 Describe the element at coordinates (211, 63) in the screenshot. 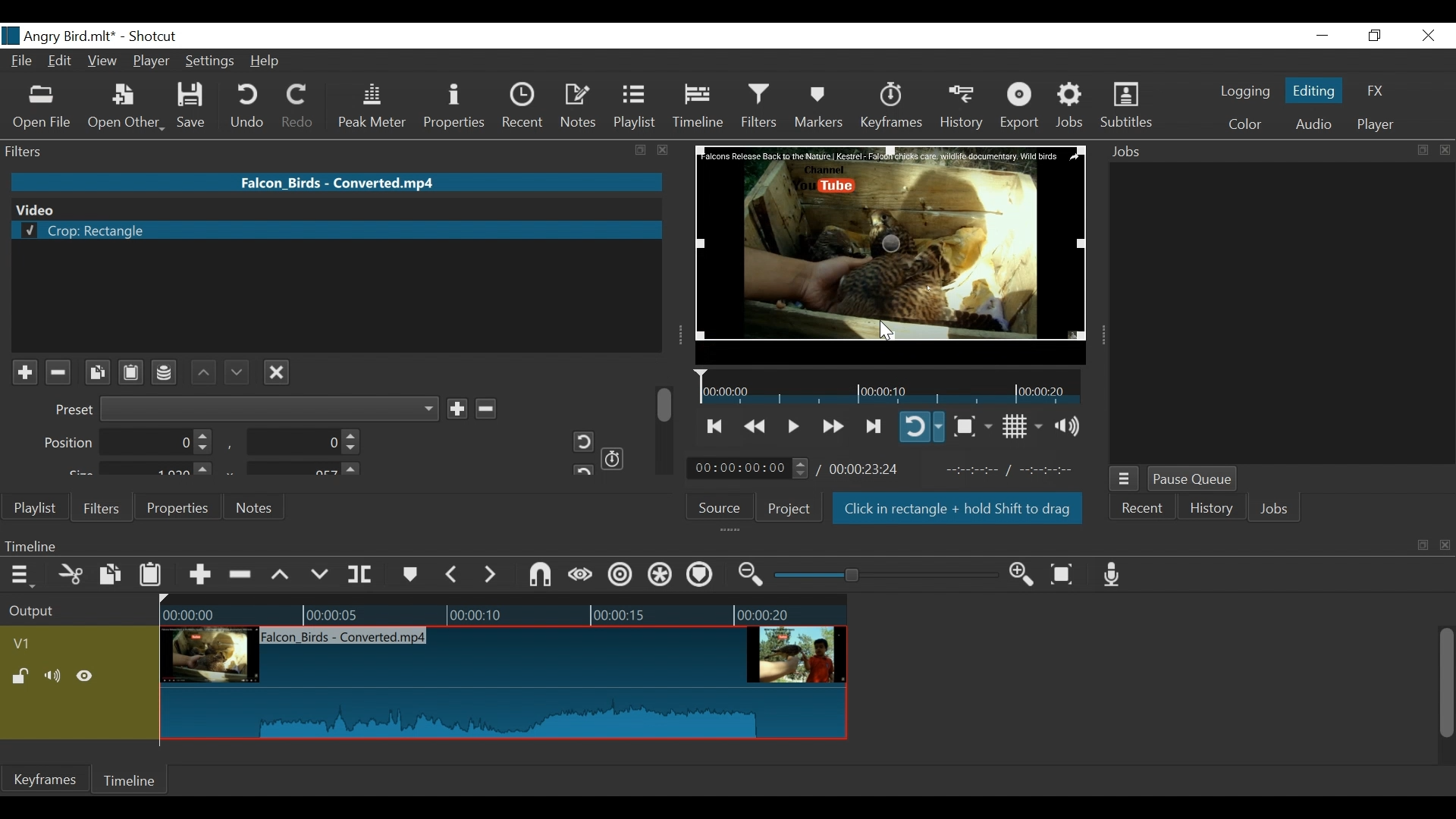

I see `Settings` at that location.